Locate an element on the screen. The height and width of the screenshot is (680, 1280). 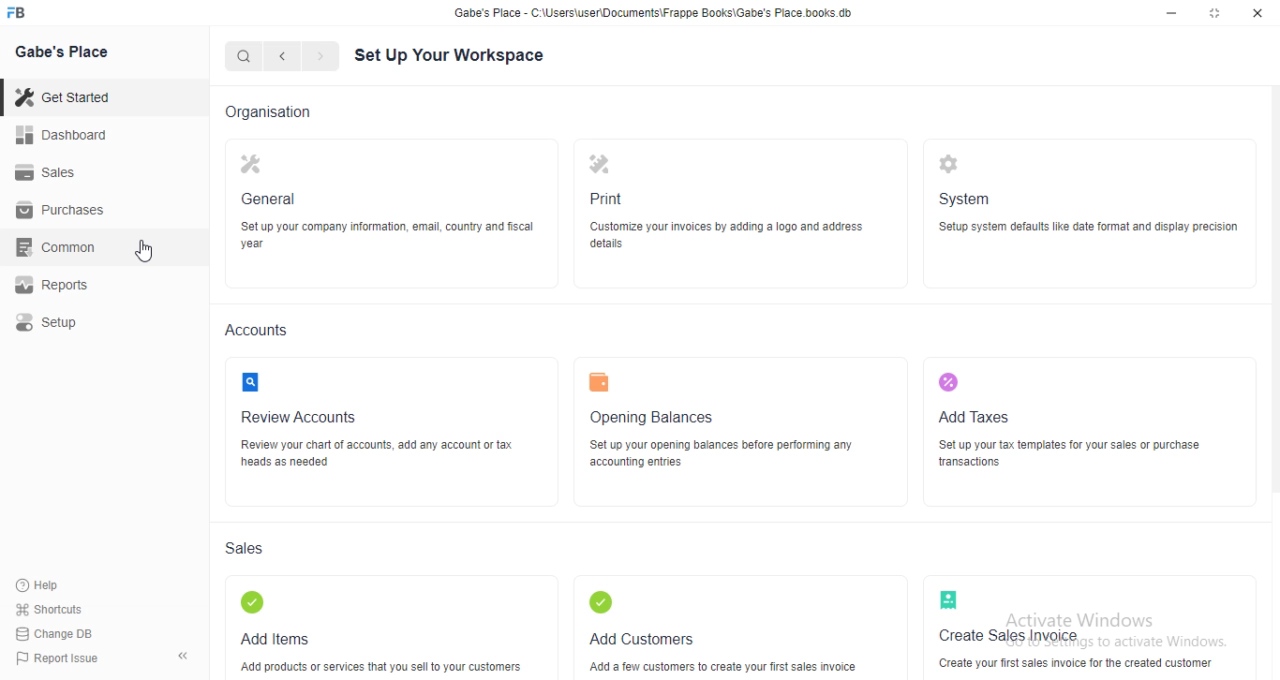
previous is located at coordinates (280, 56).